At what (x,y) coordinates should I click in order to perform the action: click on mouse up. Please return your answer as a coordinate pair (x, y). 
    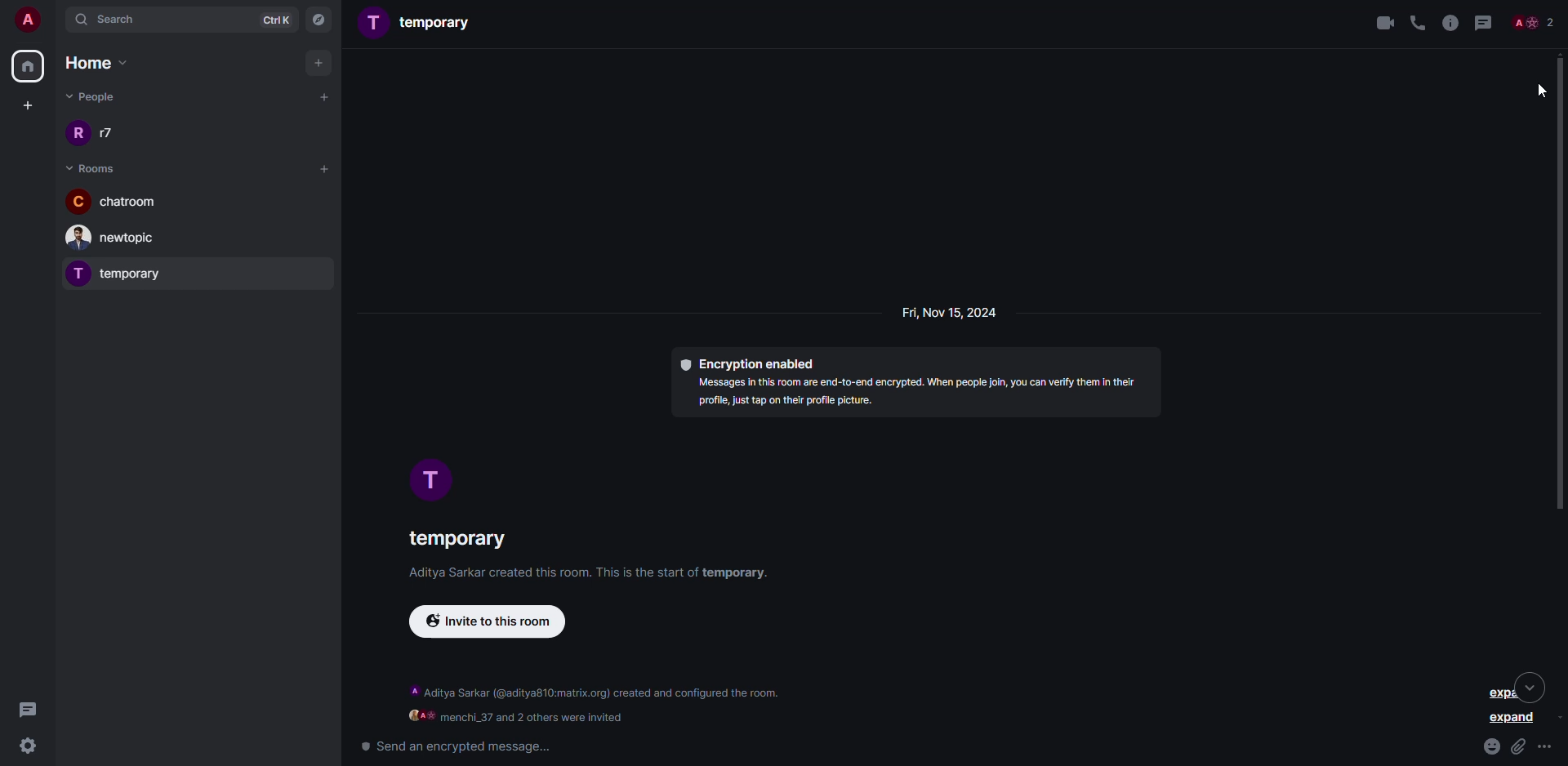
    Looking at the image, I should click on (1558, 286).